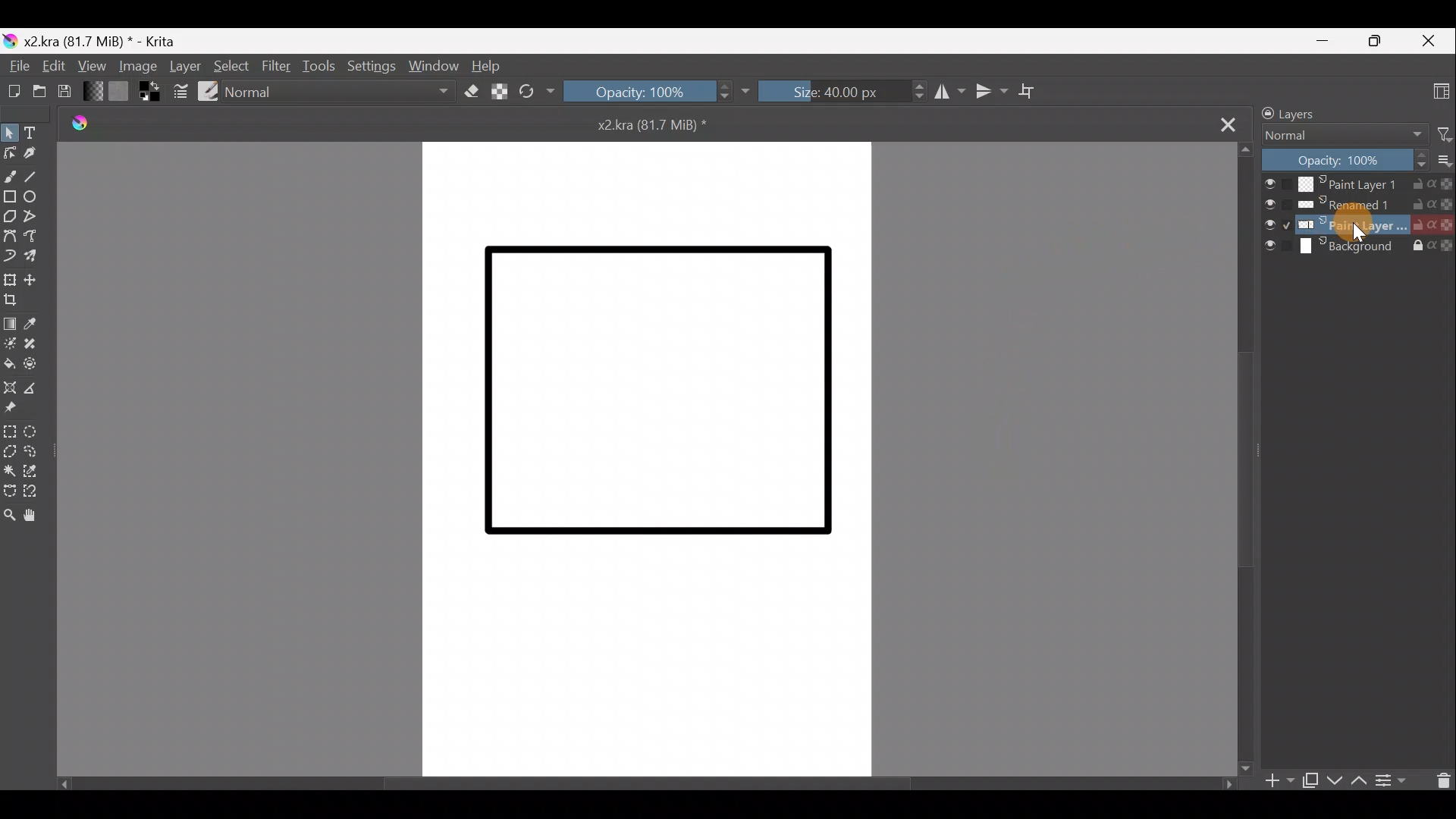  What do you see at coordinates (9, 367) in the screenshot?
I see `Fill a contiguous area of colour with colour/fill a selection` at bounding box center [9, 367].